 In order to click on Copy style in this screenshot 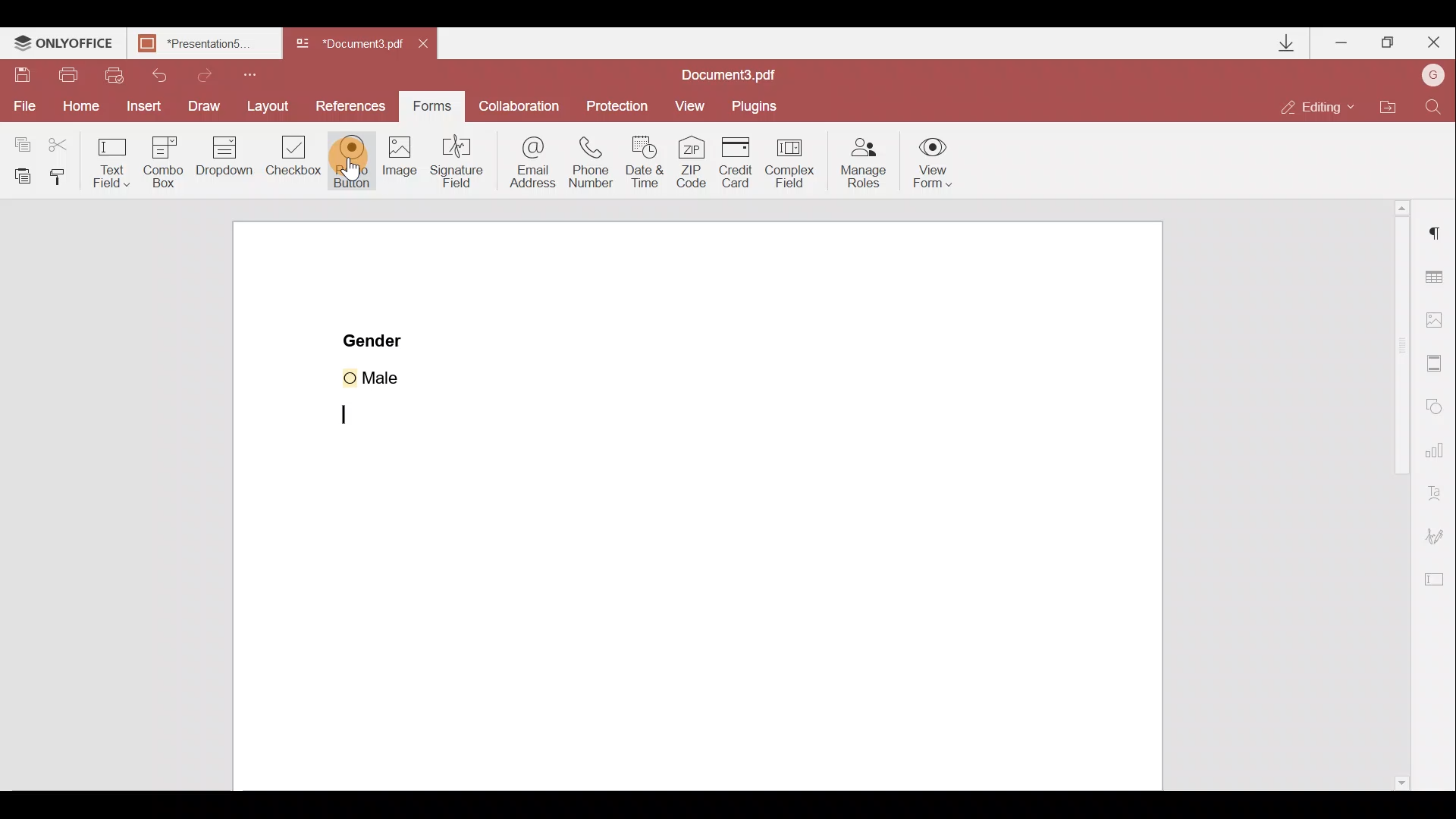, I will do `click(64, 175)`.